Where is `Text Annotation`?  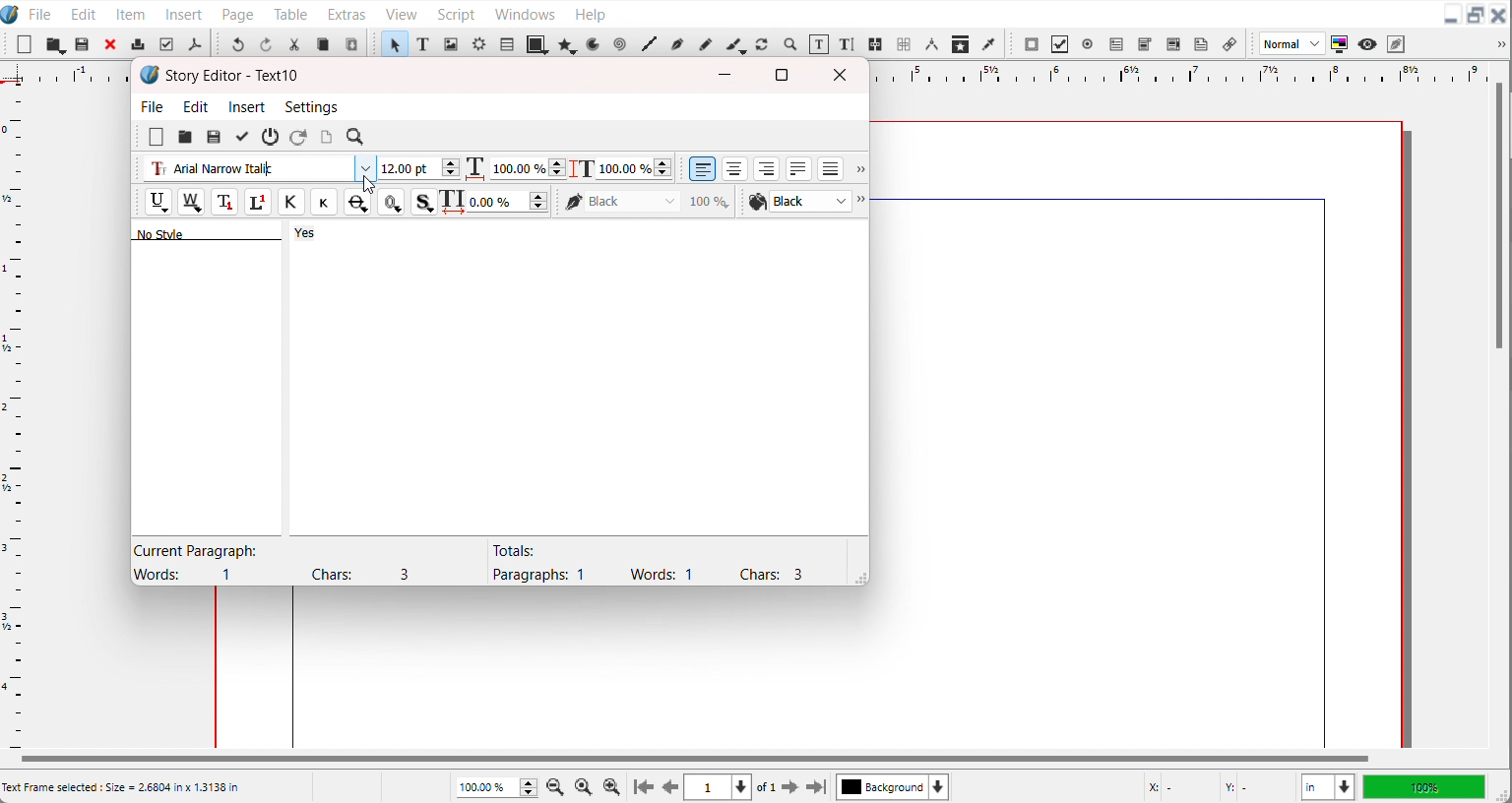
Text Annotation is located at coordinates (1201, 44).